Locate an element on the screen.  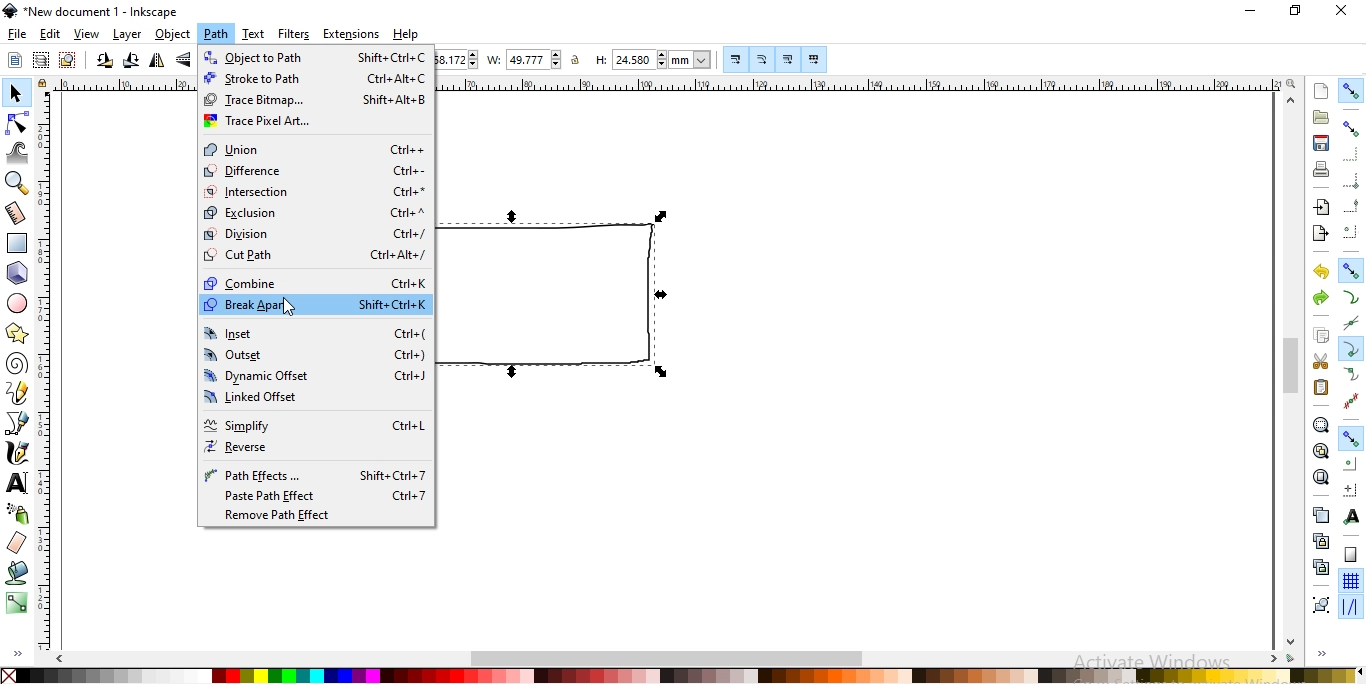
snap an item's rotation center is located at coordinates (1350, 489).